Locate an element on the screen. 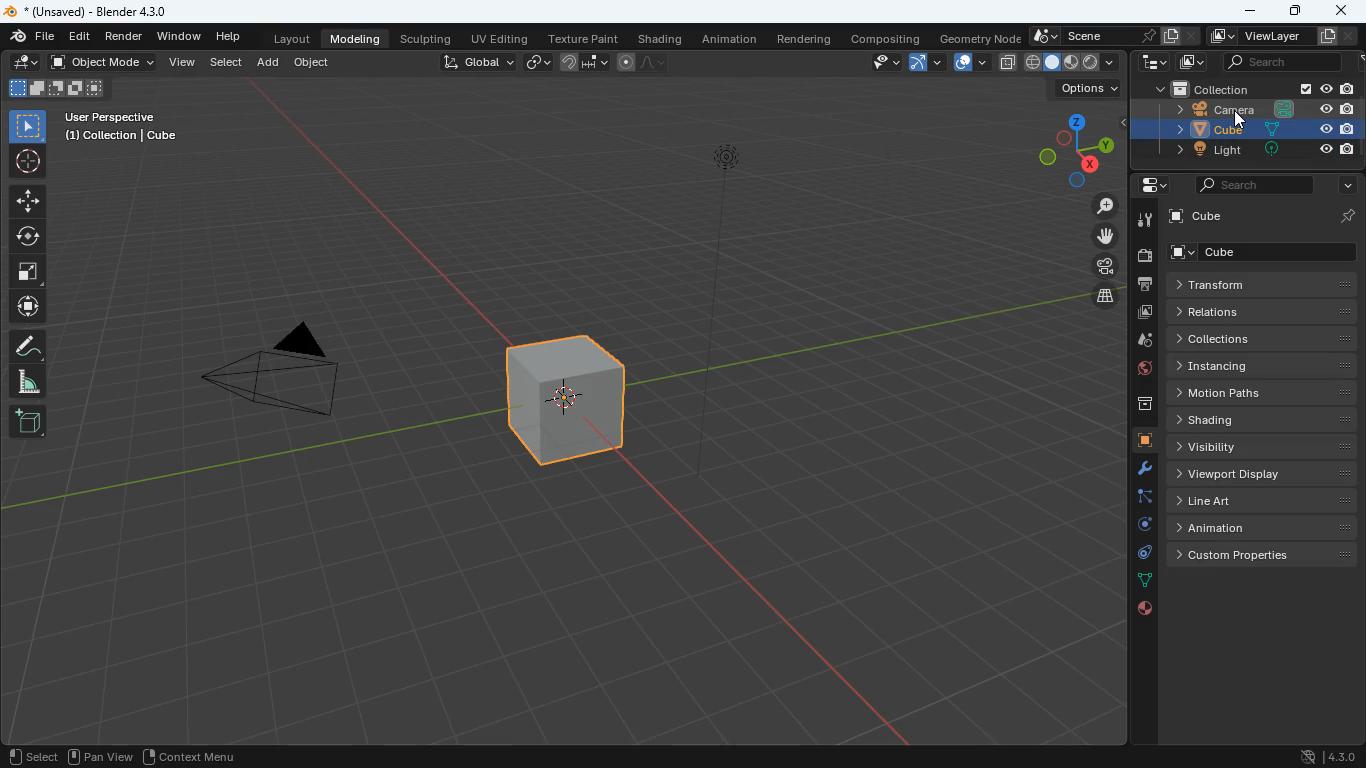 This screenshot has height=768, width=1366. image is located at coordinates (1188, 63).